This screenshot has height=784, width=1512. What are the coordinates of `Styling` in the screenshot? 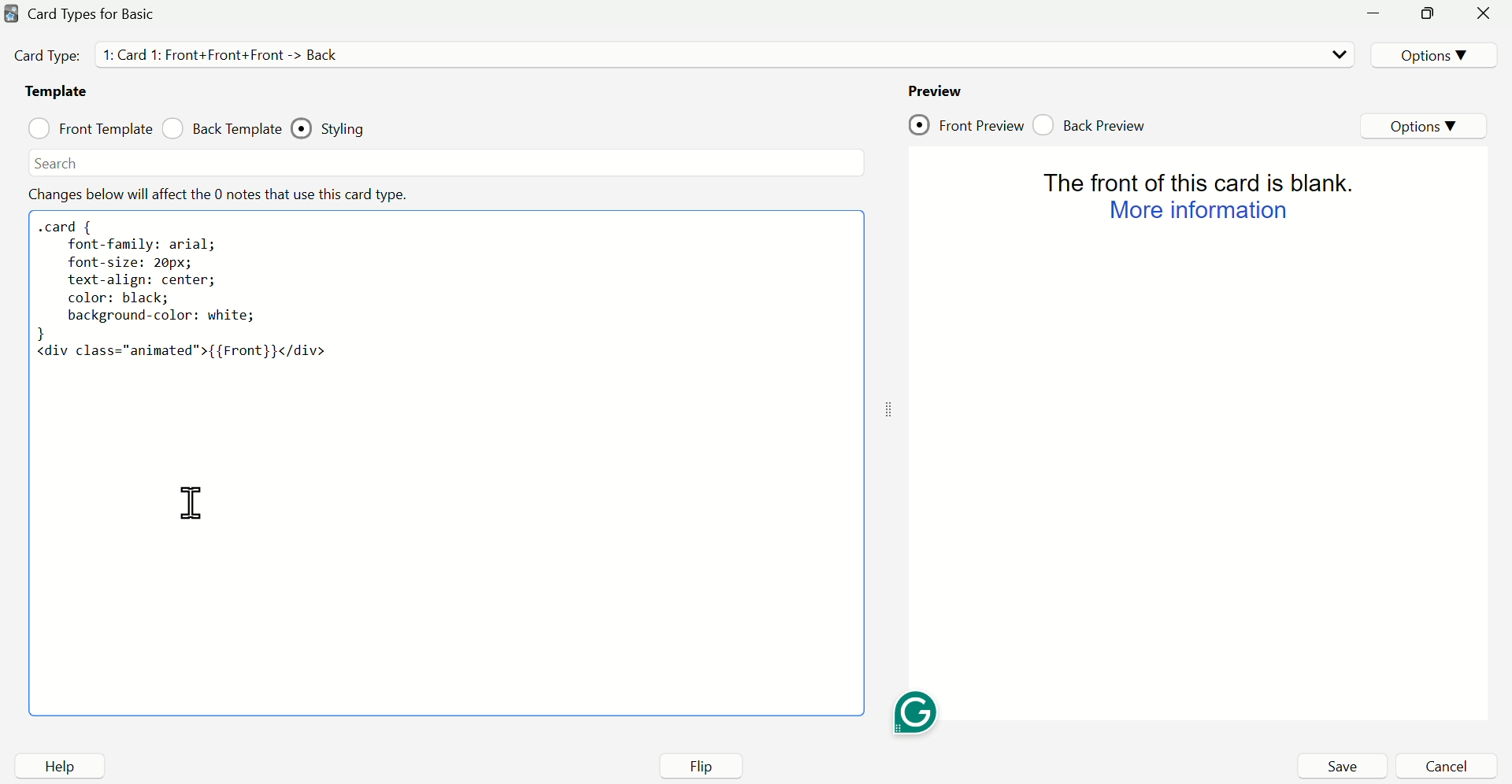 It's located at (341, 125).